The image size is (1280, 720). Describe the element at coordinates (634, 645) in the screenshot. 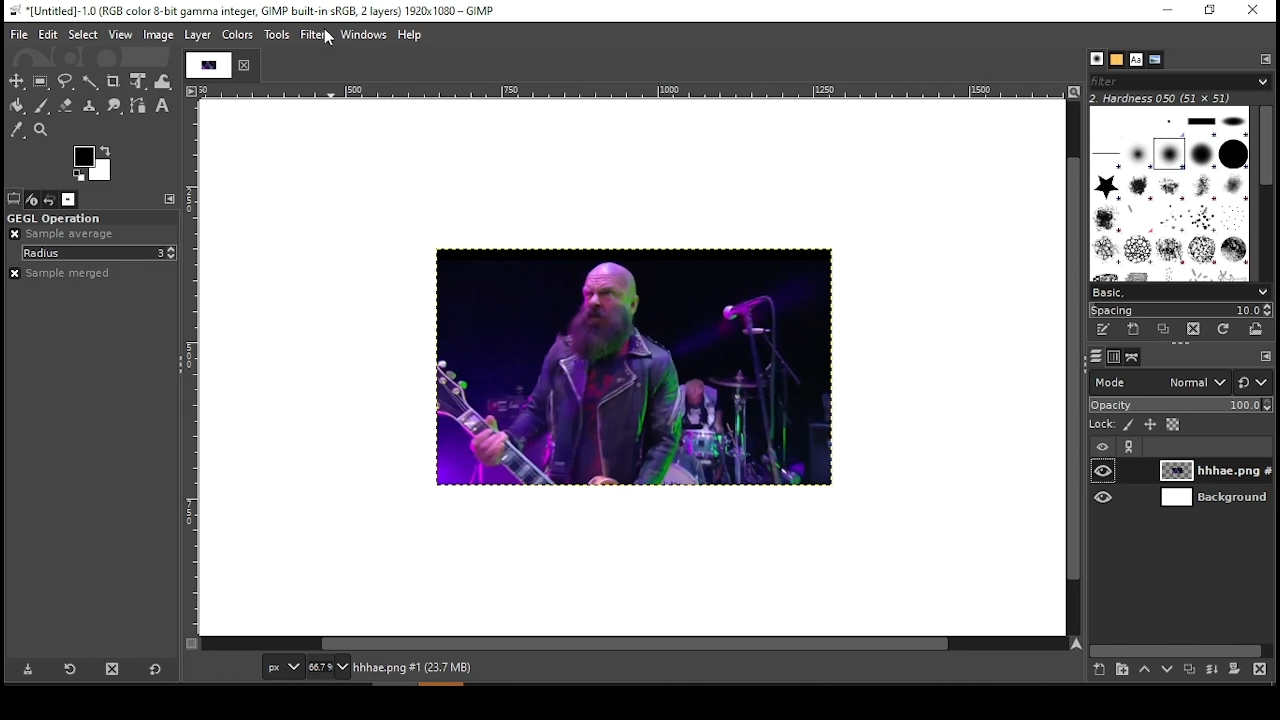

I see `horizontal scroll bar` at that location.